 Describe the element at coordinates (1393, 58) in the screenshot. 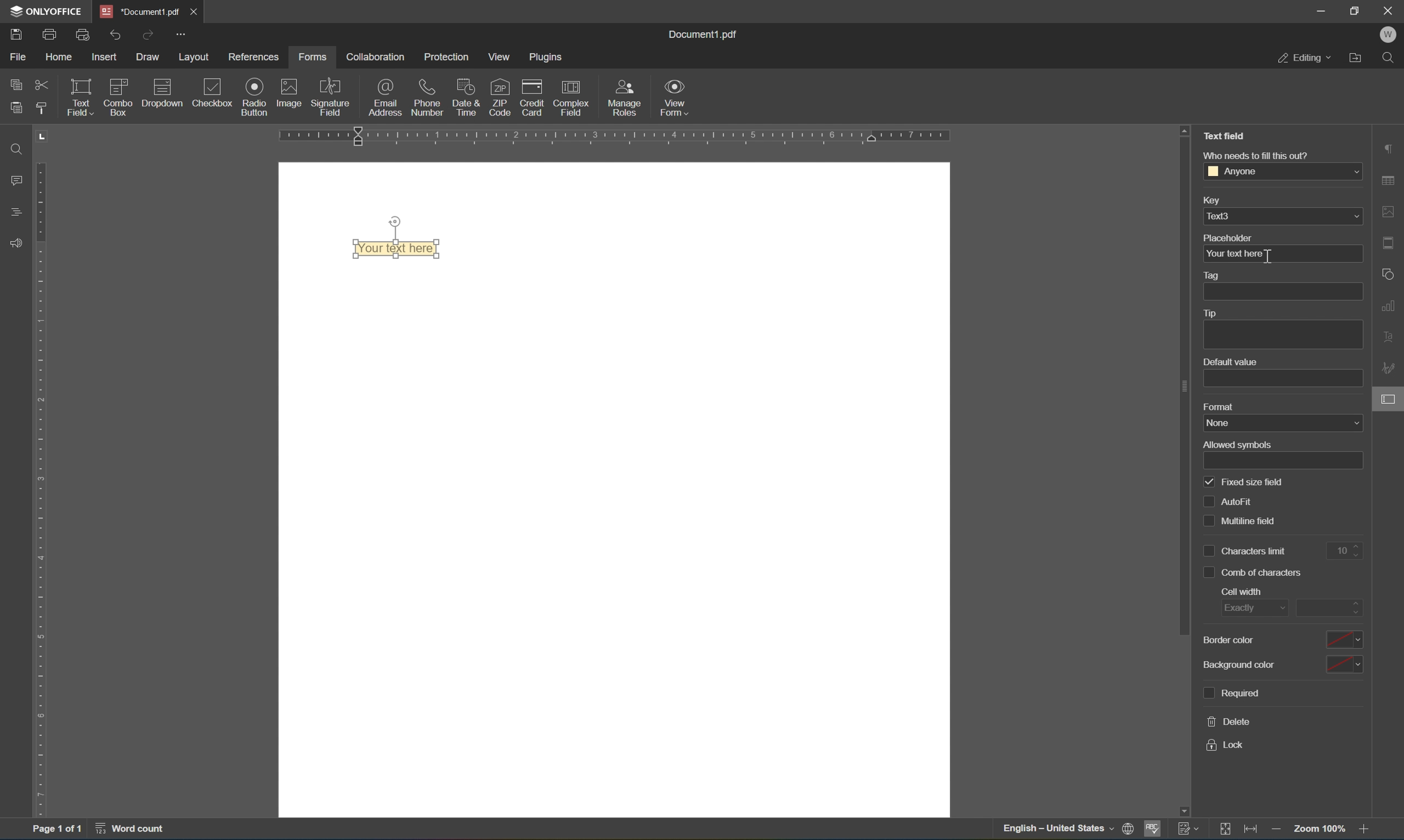

I see `Find` at that location.